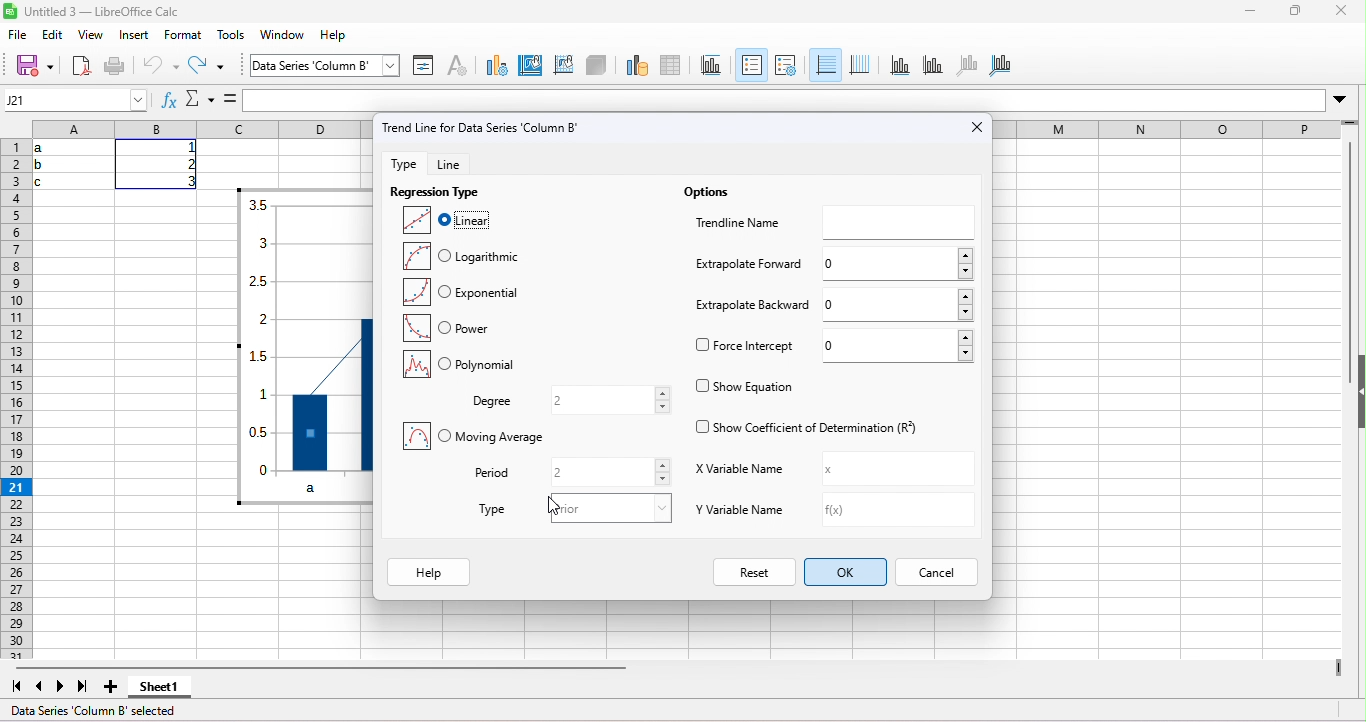  Describe the element at coordinates (782, 472) in the screenshot. I see `x variable name` at that location.